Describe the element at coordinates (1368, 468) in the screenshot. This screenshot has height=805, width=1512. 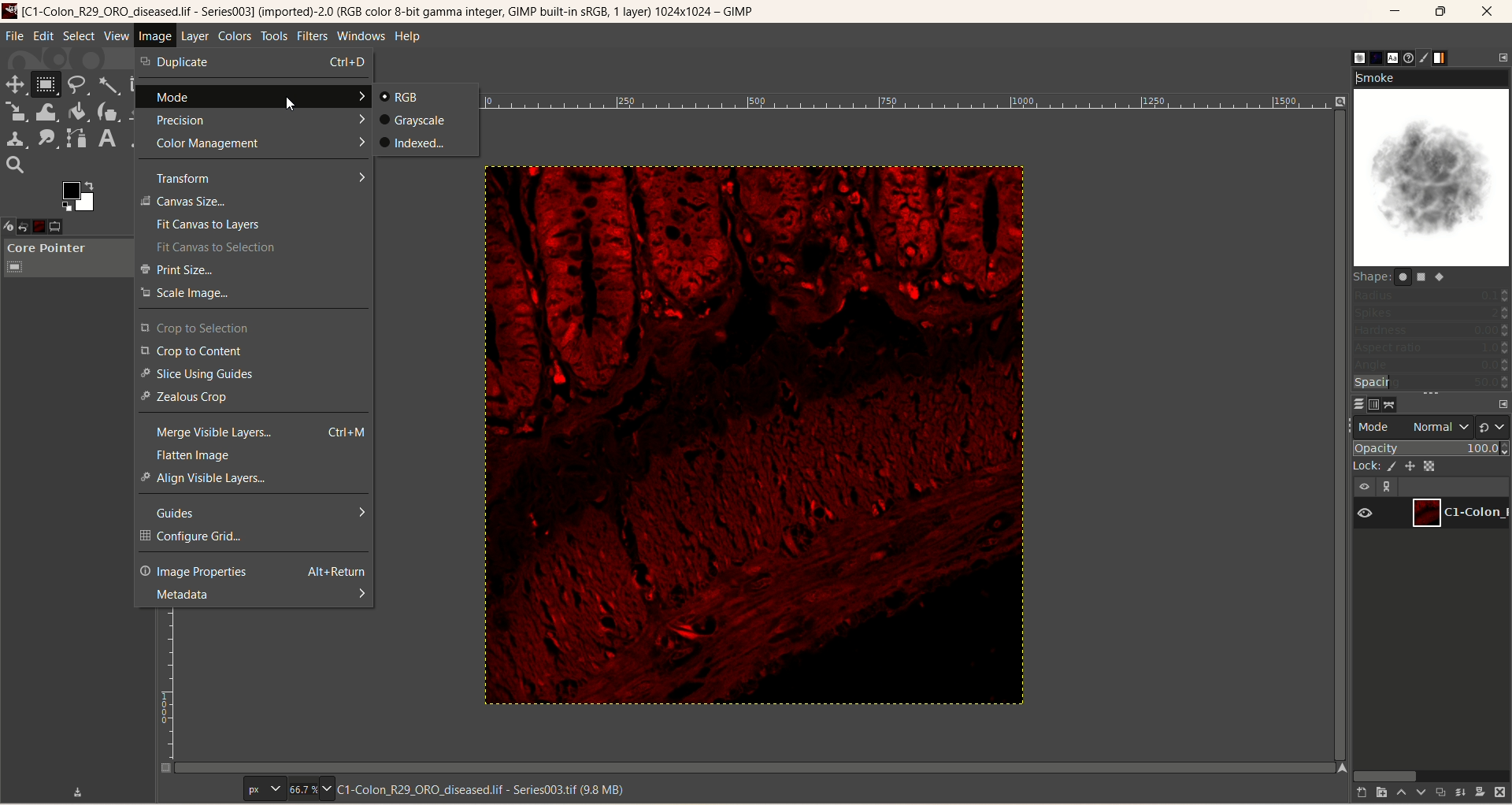
I see `lock` at that location.